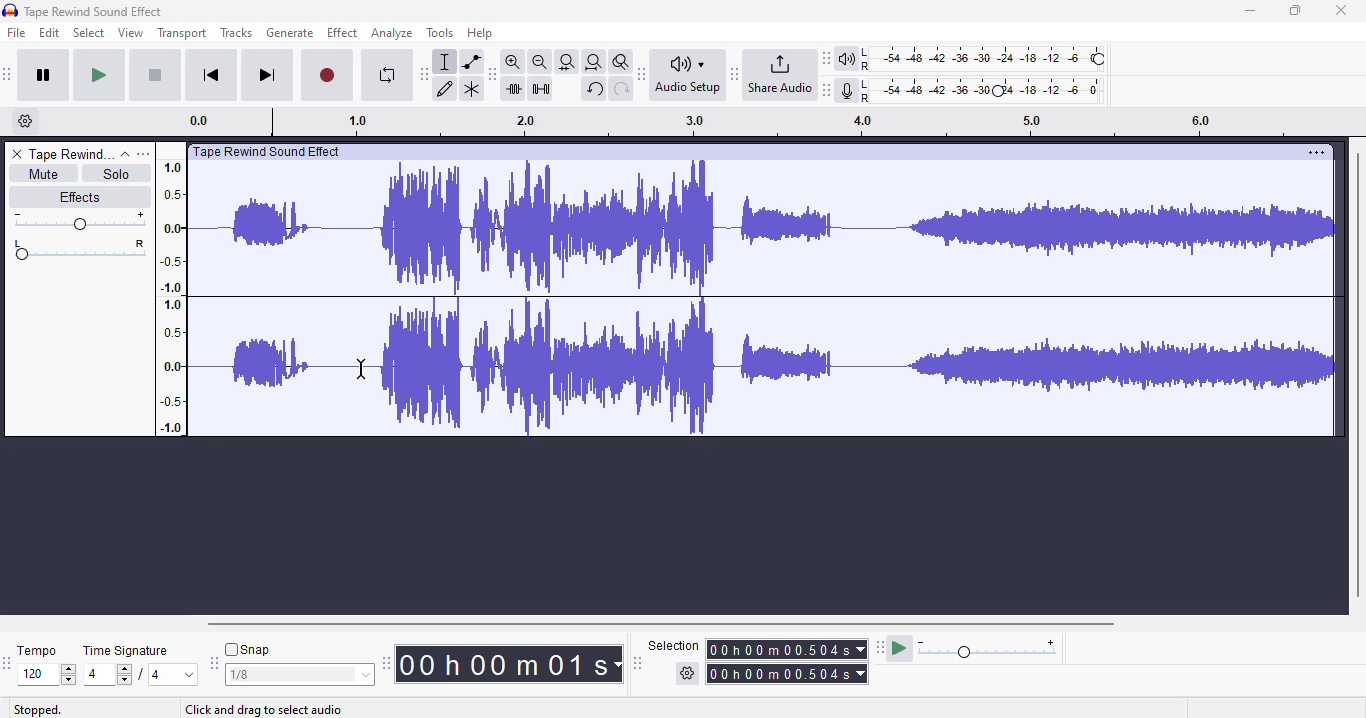  Describe the element at coordinates (18, 154) in the screenshot. I see `delete track` at that location.